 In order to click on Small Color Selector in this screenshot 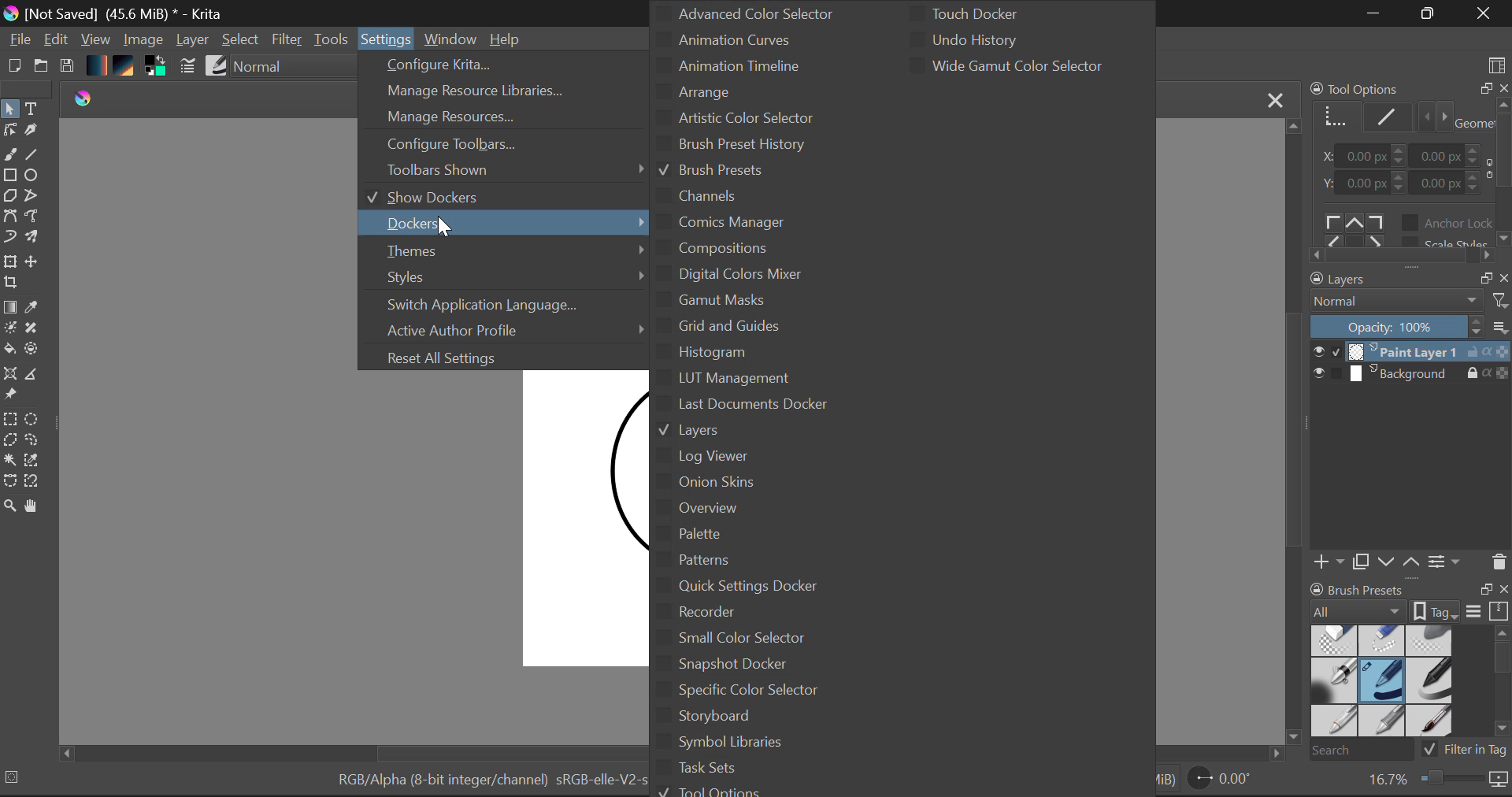, I will do `click(758, 637)`.